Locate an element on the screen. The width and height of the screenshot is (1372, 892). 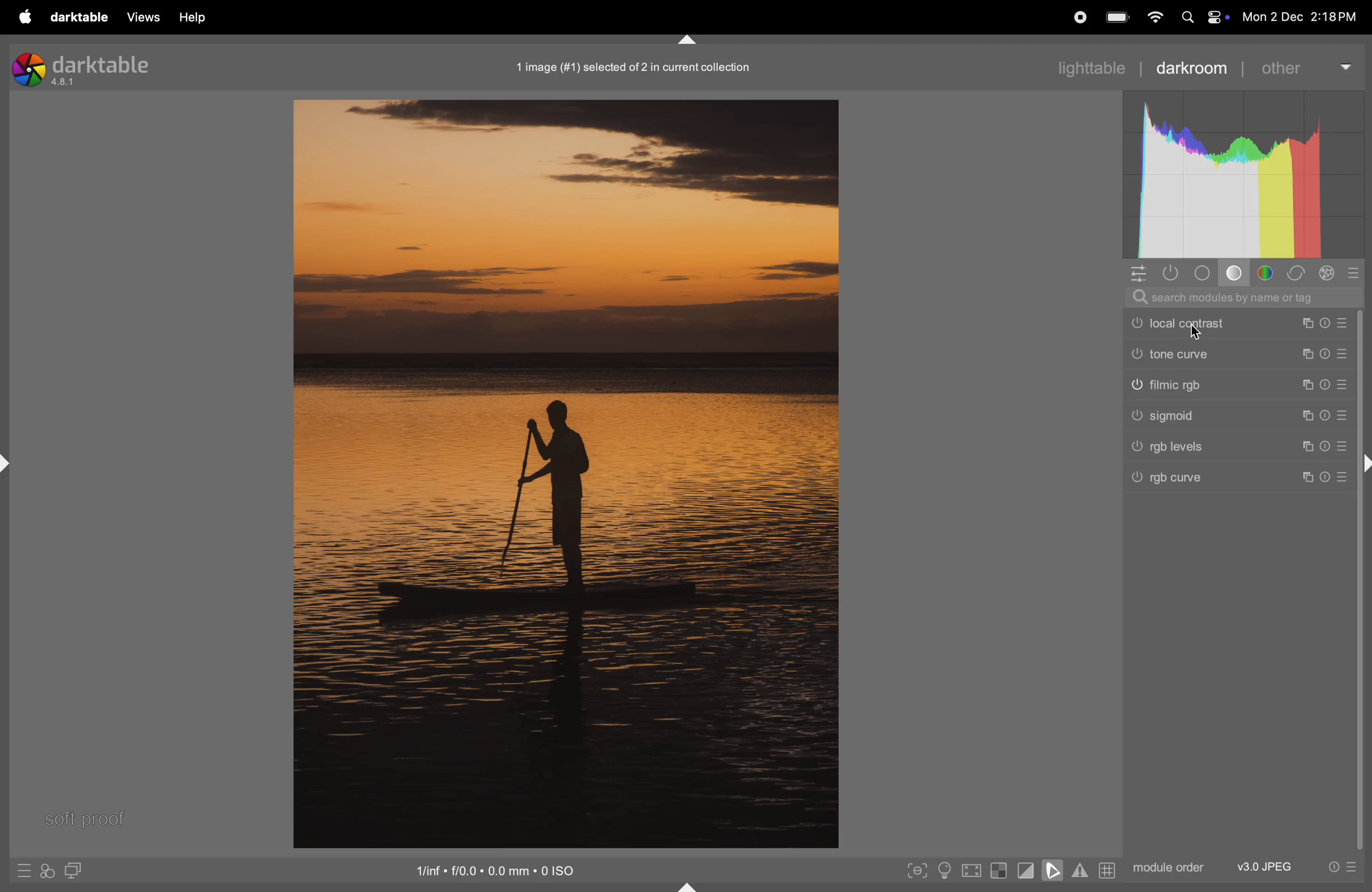
Darktable is located at coordinates (87, 68).